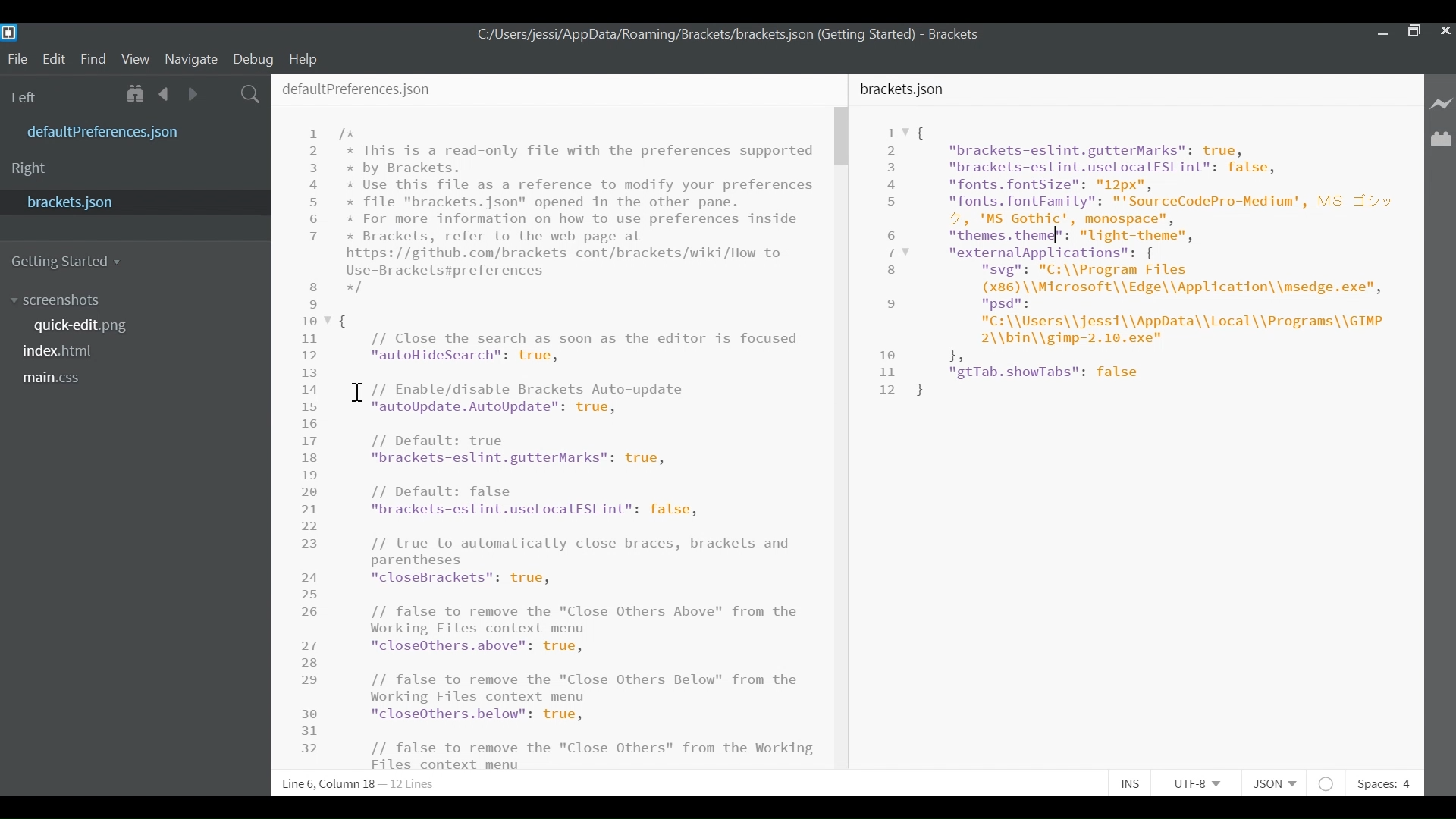 The height and width of the screenshot is (819, 1456). I want to click on View, so click(136, 58).